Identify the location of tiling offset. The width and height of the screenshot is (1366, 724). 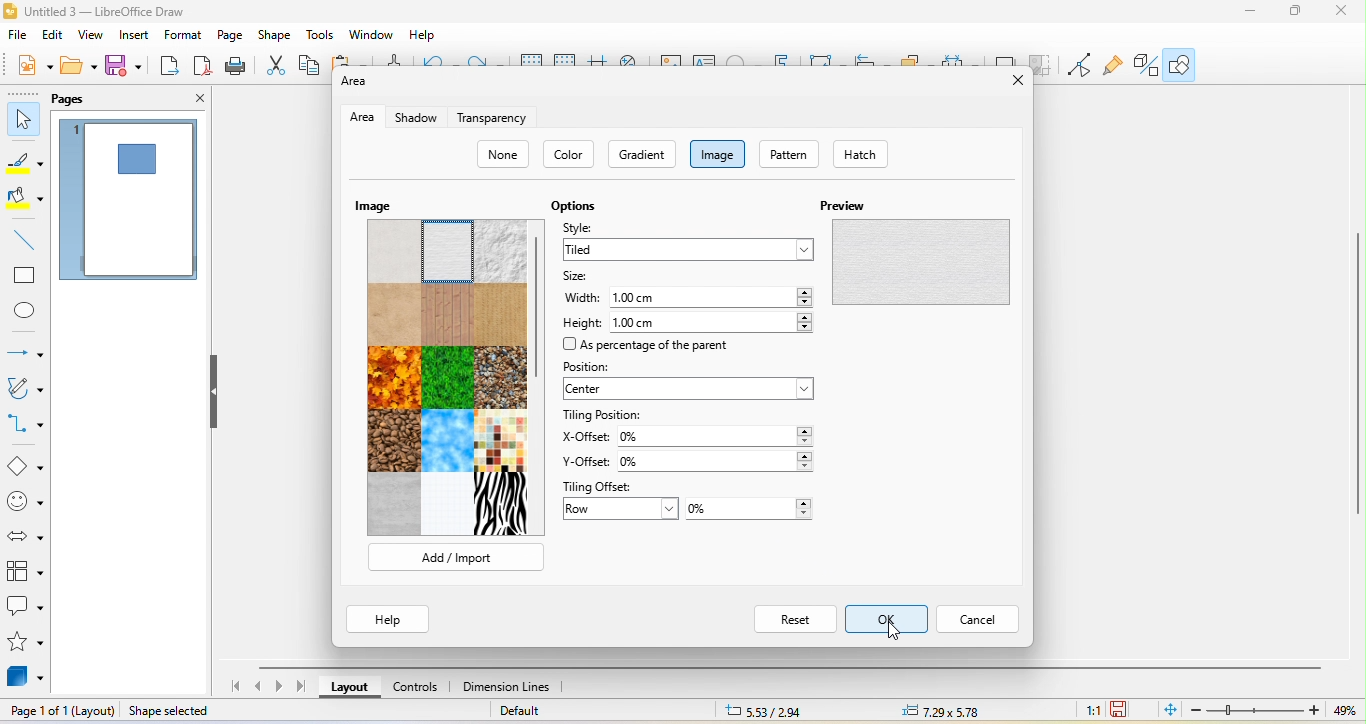
(605, 486).